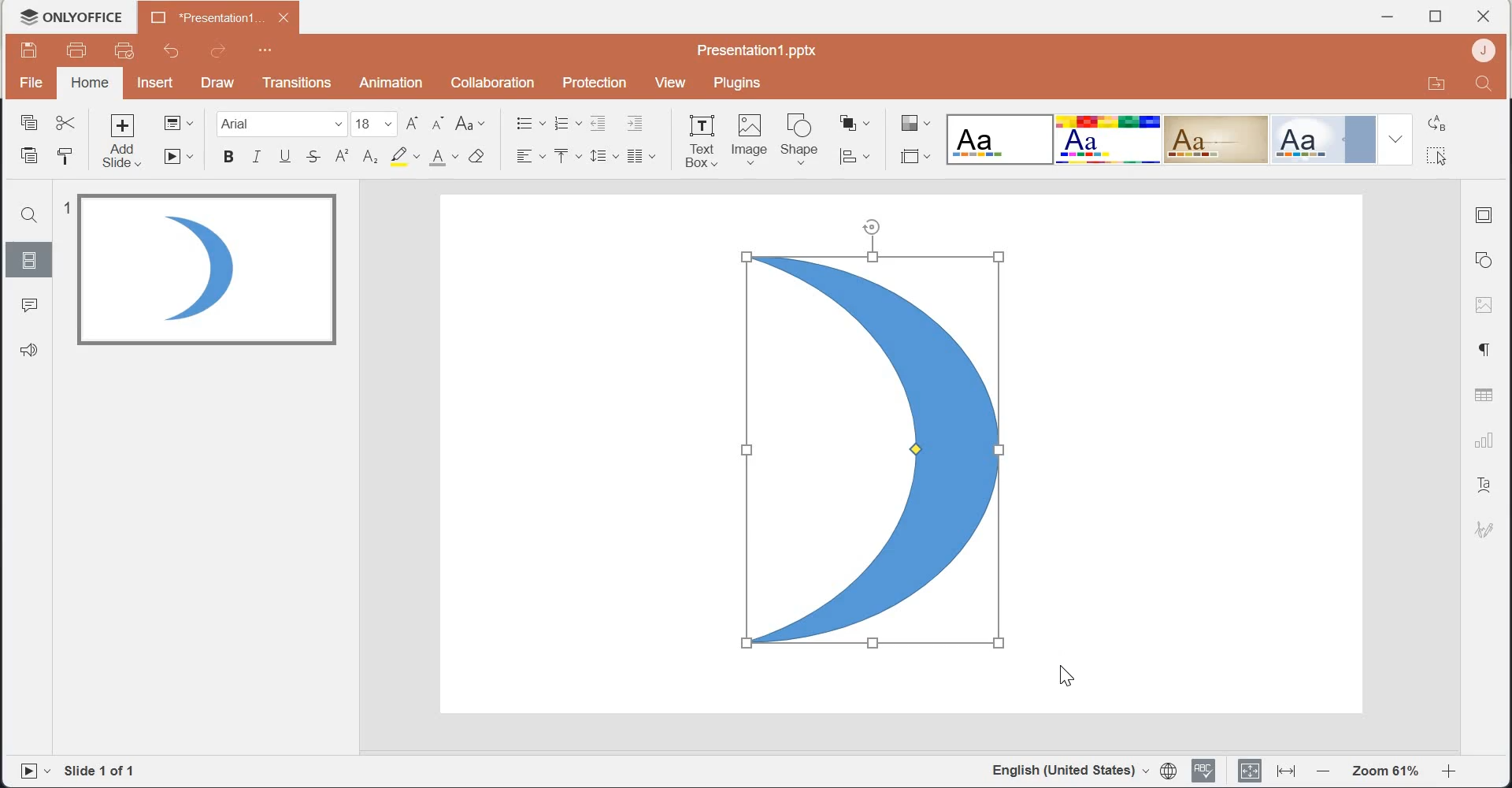 This screenshot has width=1512, height=788. I want to click on Italic, so click(258, 157).